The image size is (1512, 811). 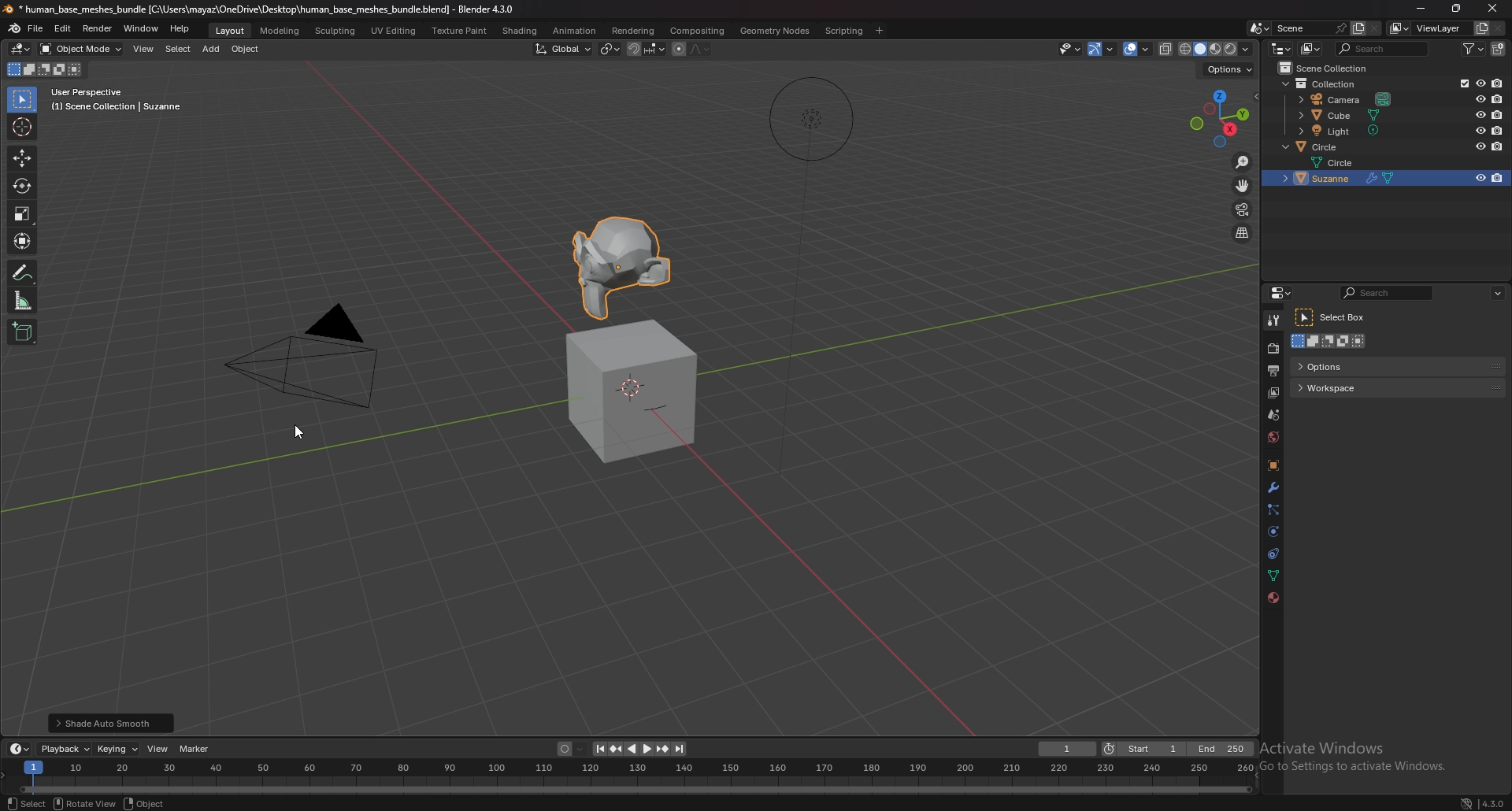 I want to click on editor type, so click(x=1280, y=293).